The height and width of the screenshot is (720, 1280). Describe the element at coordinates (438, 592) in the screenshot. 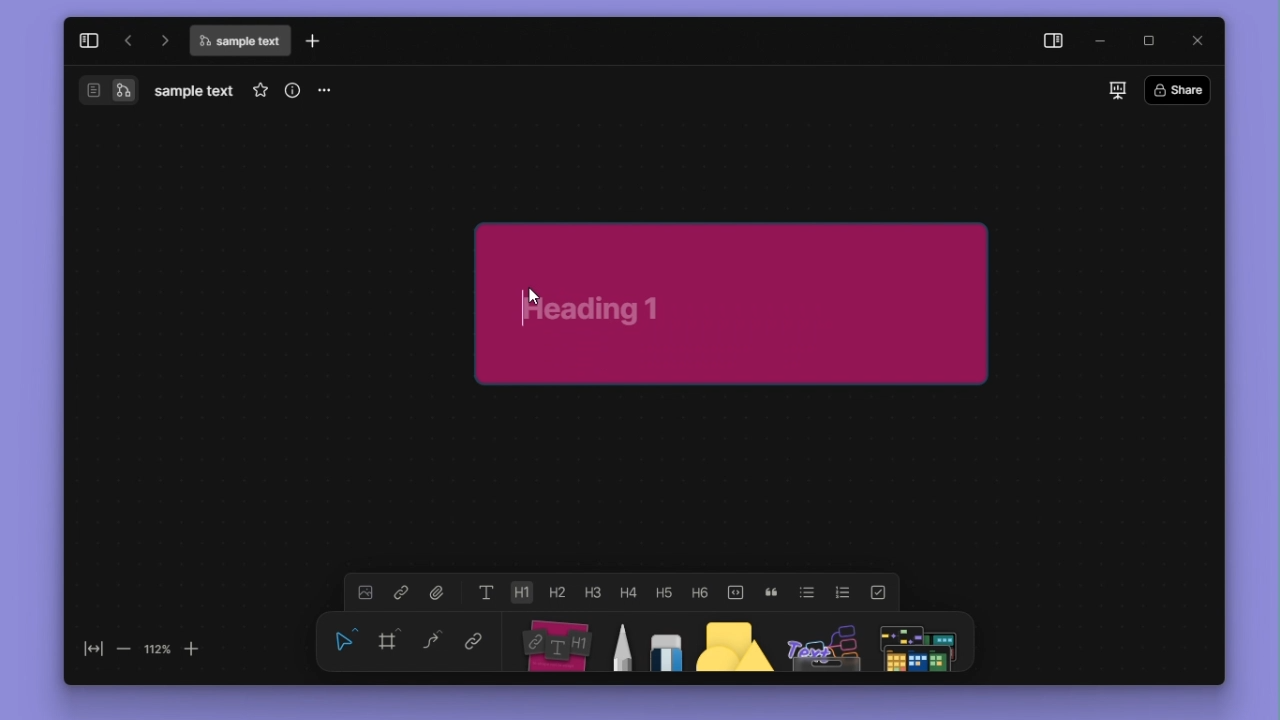

I see `file` at that location.